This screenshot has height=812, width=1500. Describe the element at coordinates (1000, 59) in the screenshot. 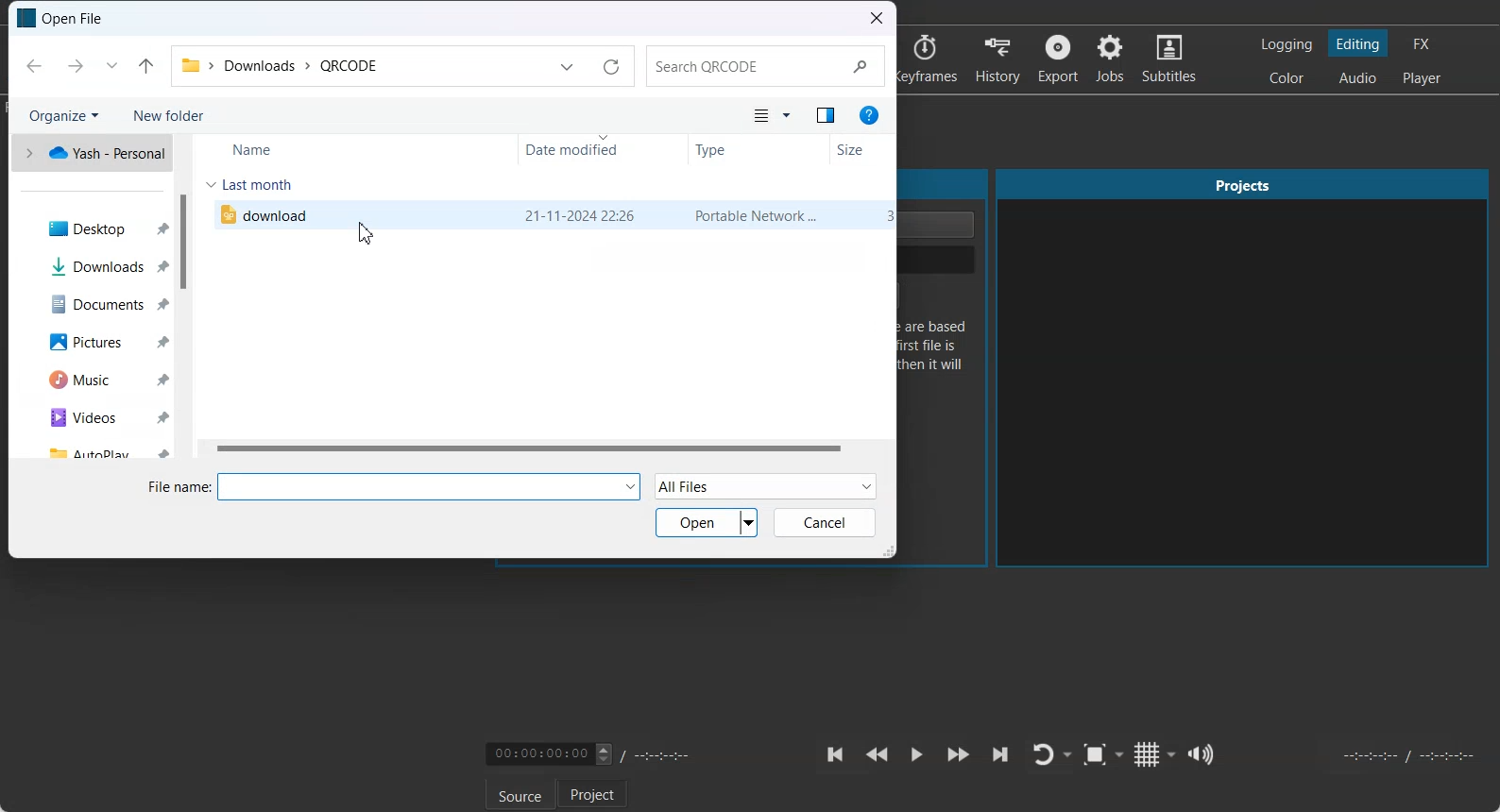

I see `History` at that location.